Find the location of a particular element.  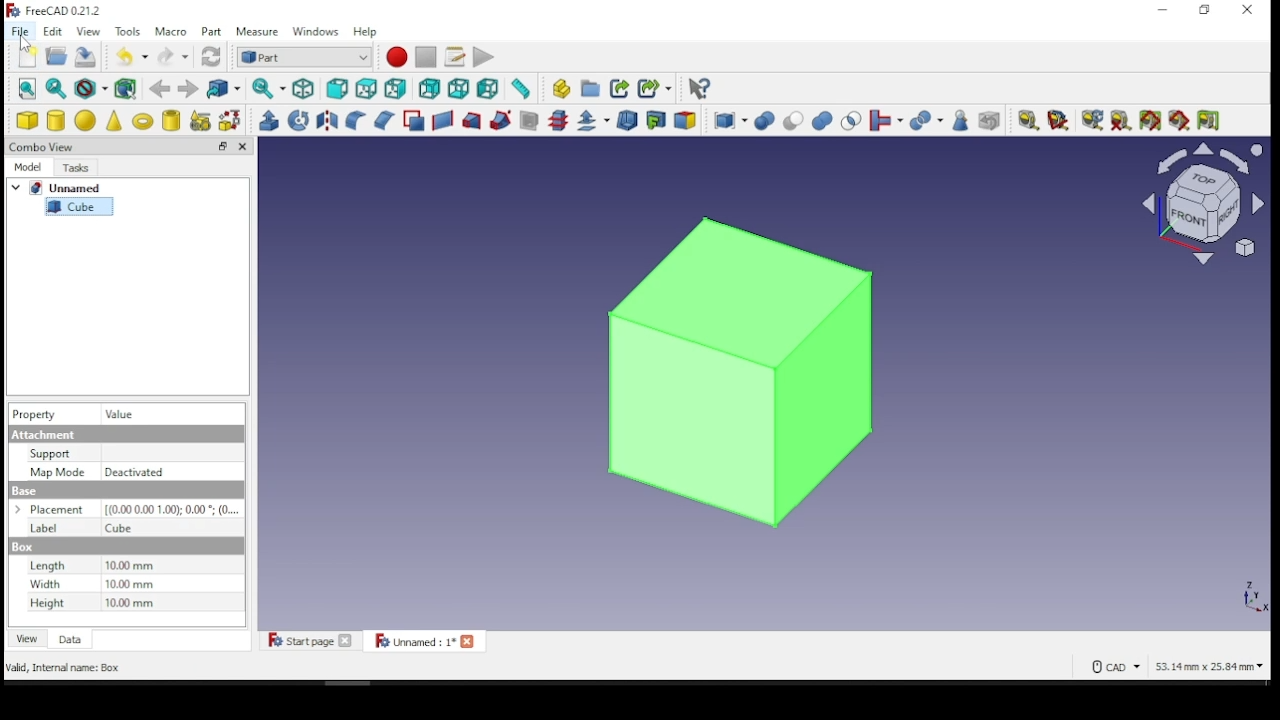

rear is located at coordinates (429, 89).